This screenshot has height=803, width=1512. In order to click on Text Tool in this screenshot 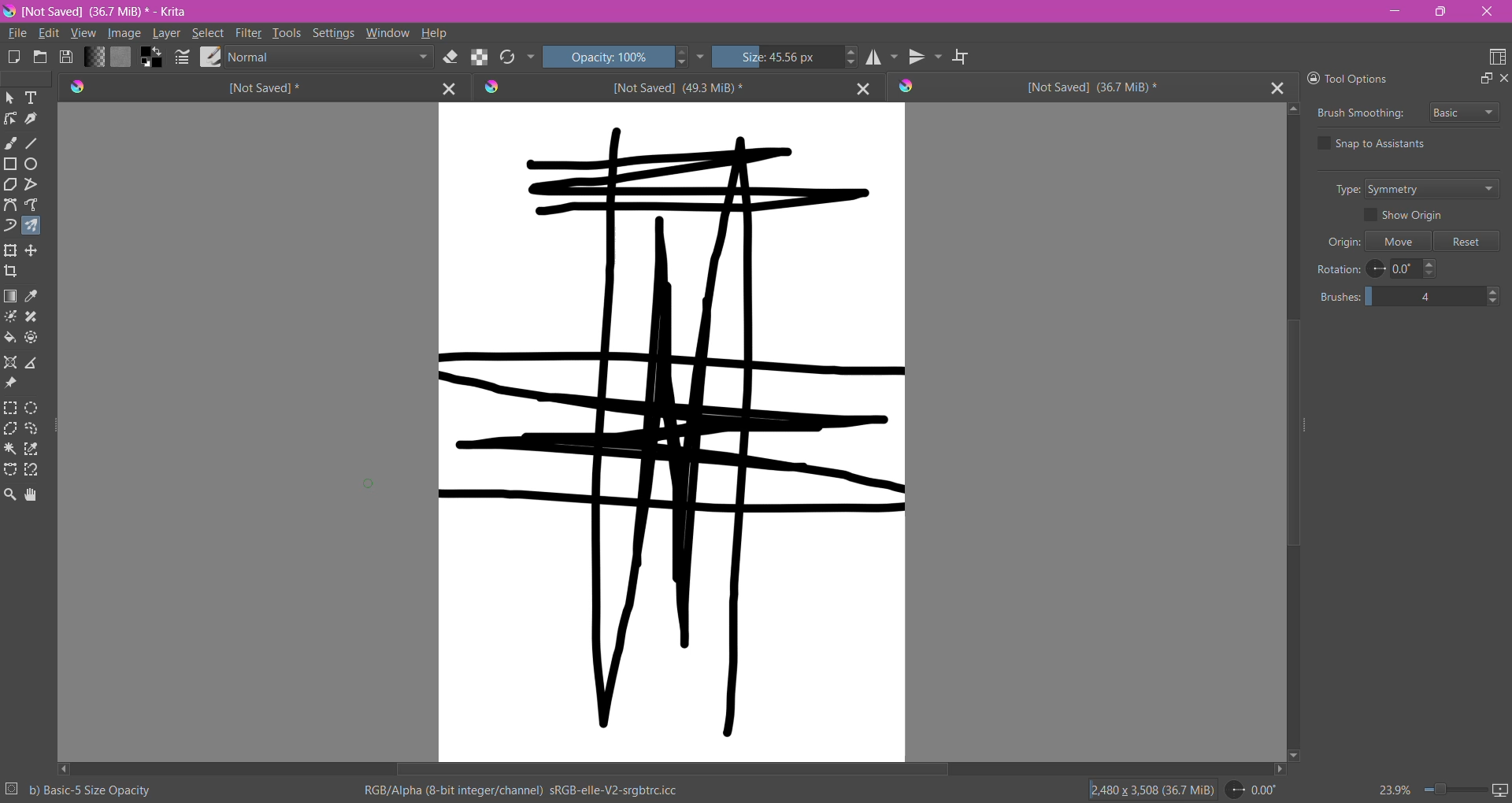, I will do `click(31, 98)`.